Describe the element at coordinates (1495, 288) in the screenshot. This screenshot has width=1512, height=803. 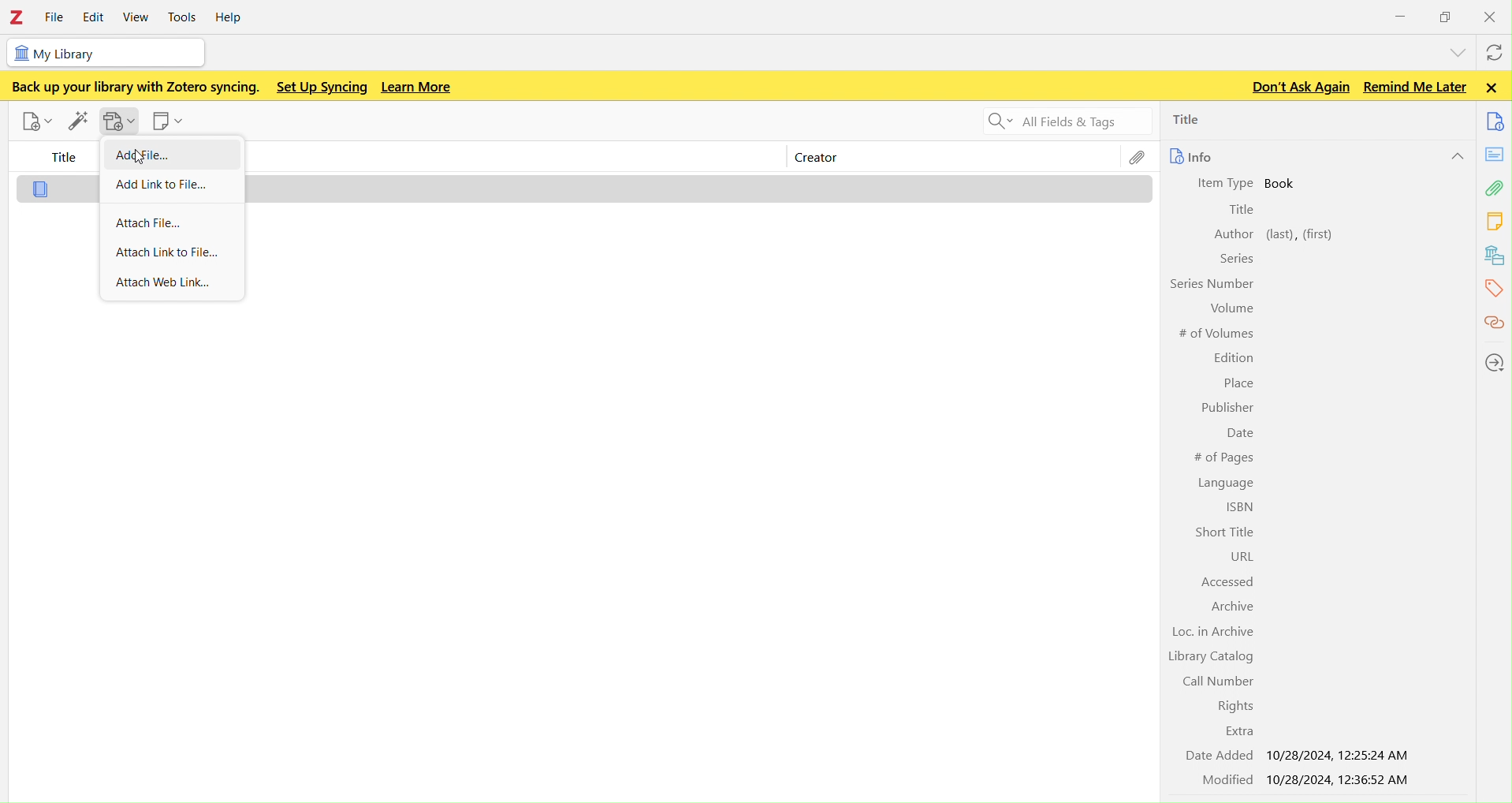
I see `tags` at that location.